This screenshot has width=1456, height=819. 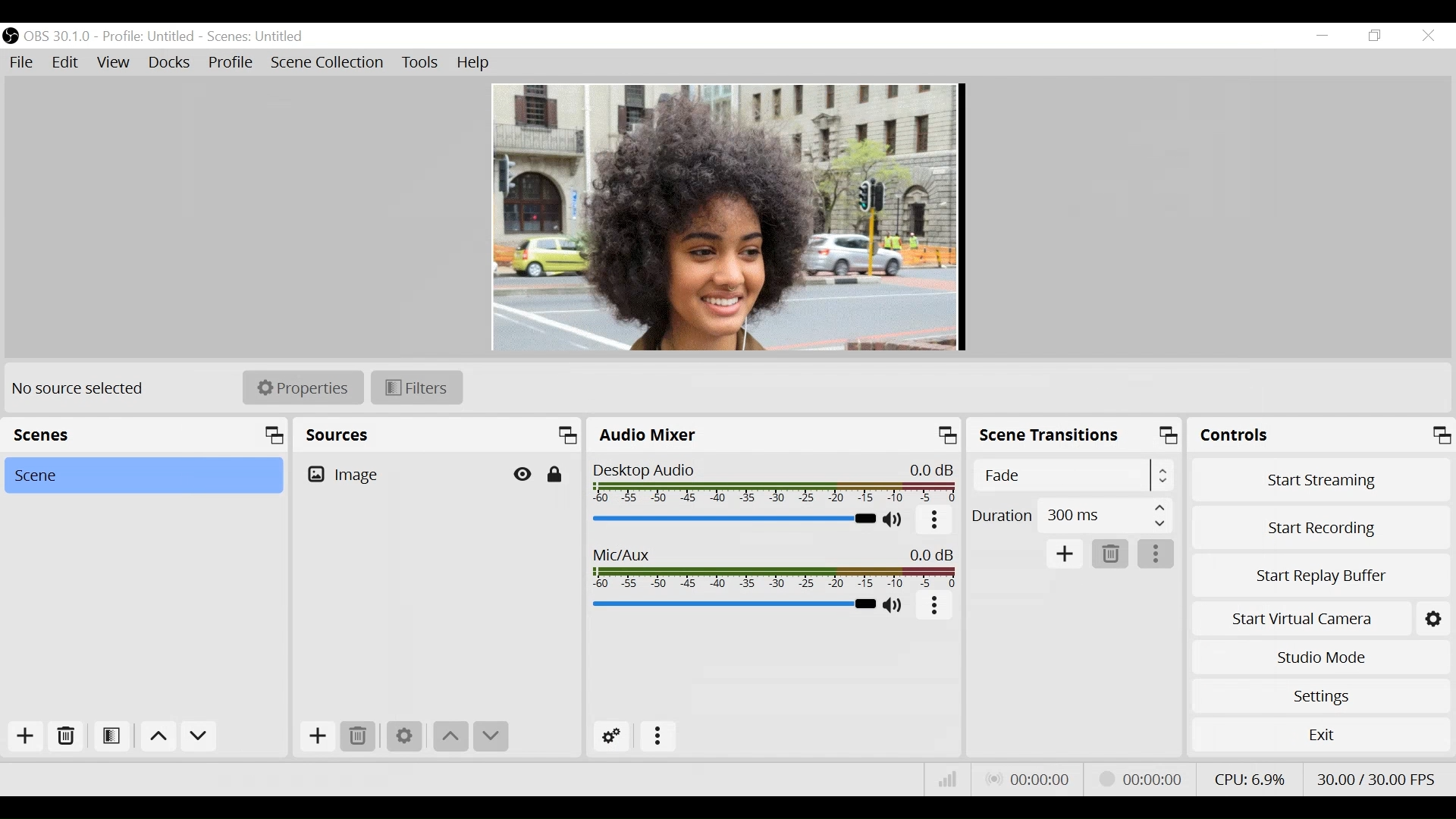 I want to click on Desktop Audio, so click(x=774, y=481).